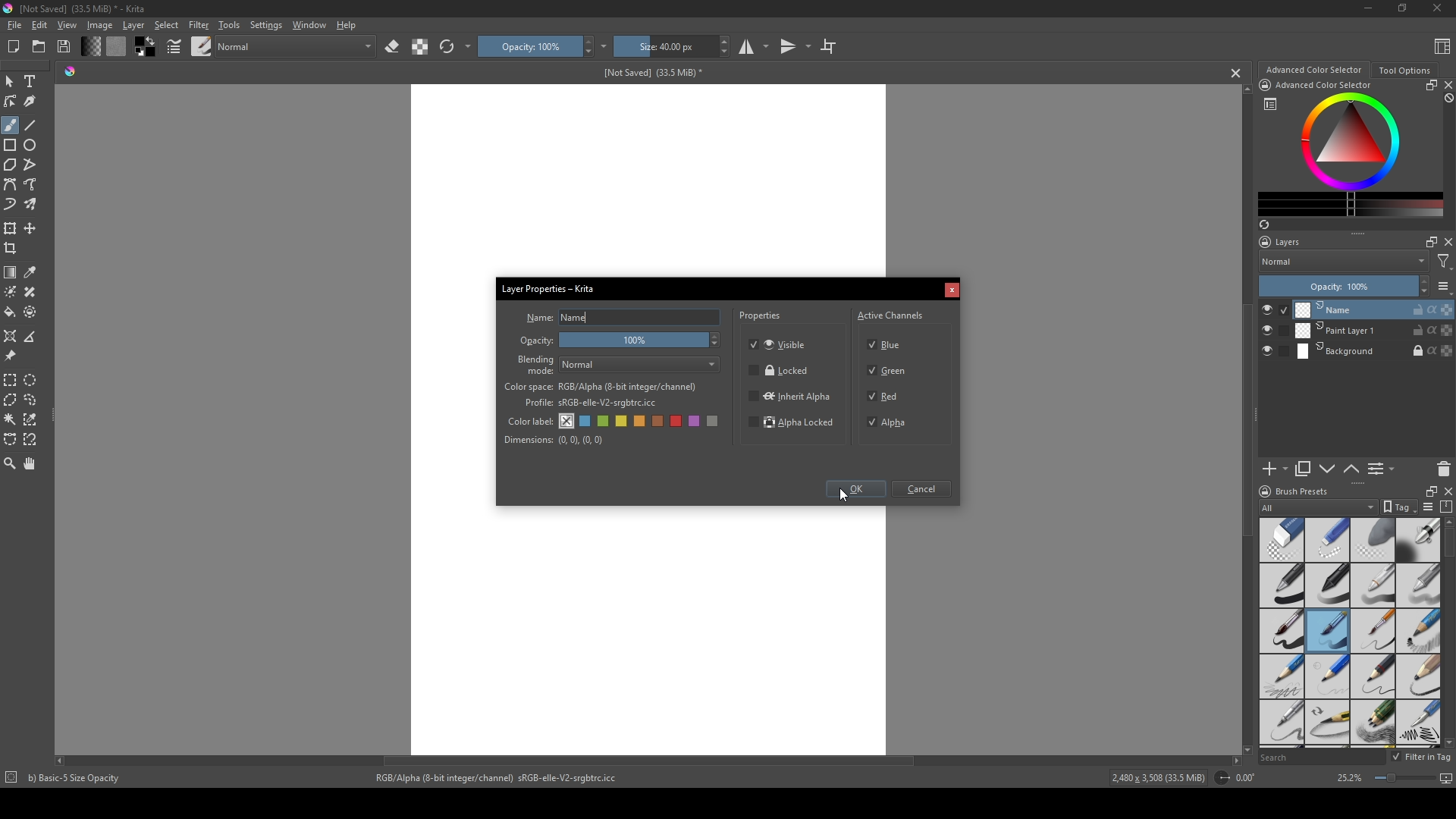  Describe the element at coordinates (1447, 242) in the screenshot. I see `close` at that location.